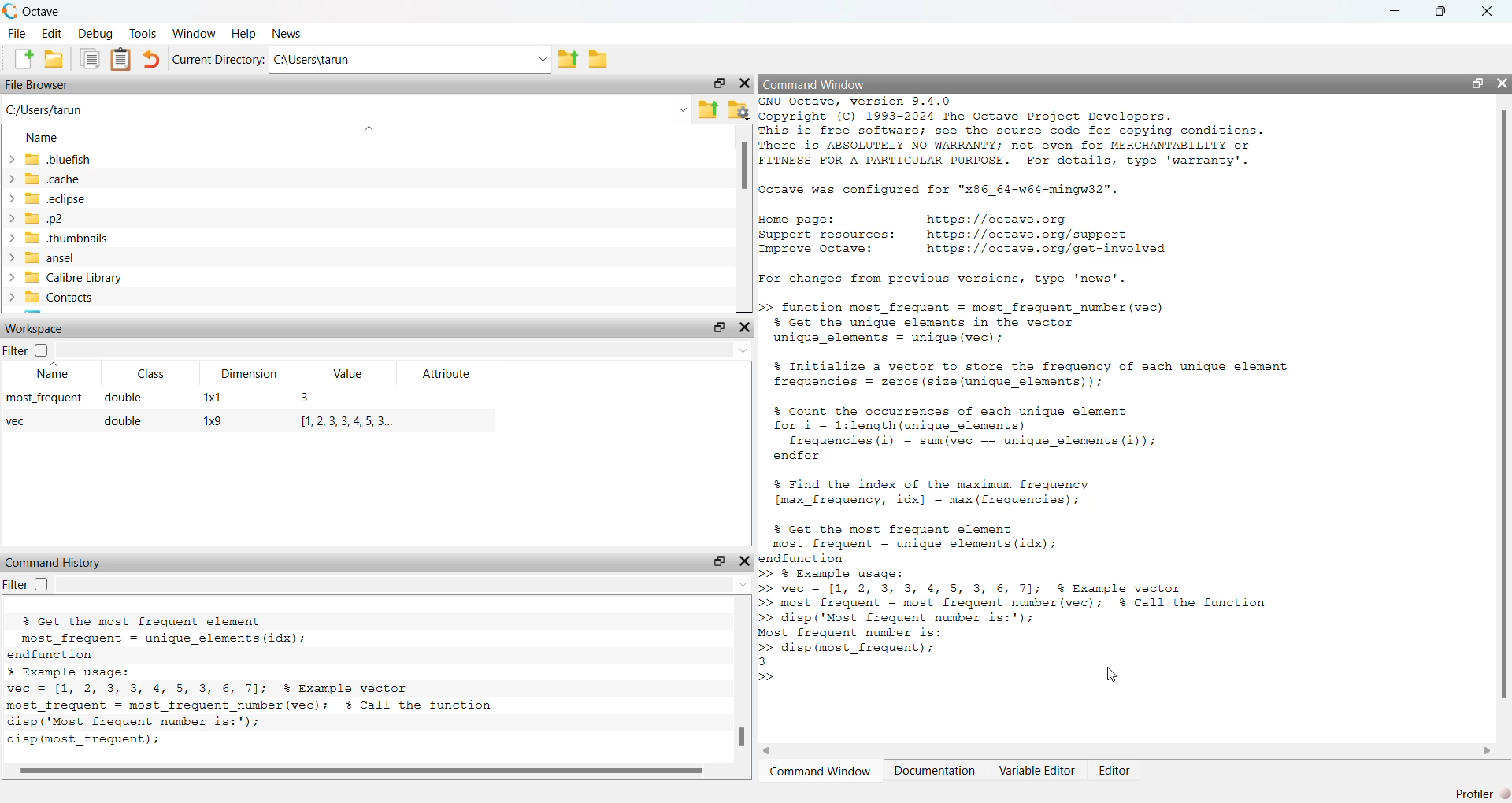 The image size is (1512, 803). What do you see at coordinates (813, 83) in the screenshot?
I see `Command Window` at bounding box center [813, 83].